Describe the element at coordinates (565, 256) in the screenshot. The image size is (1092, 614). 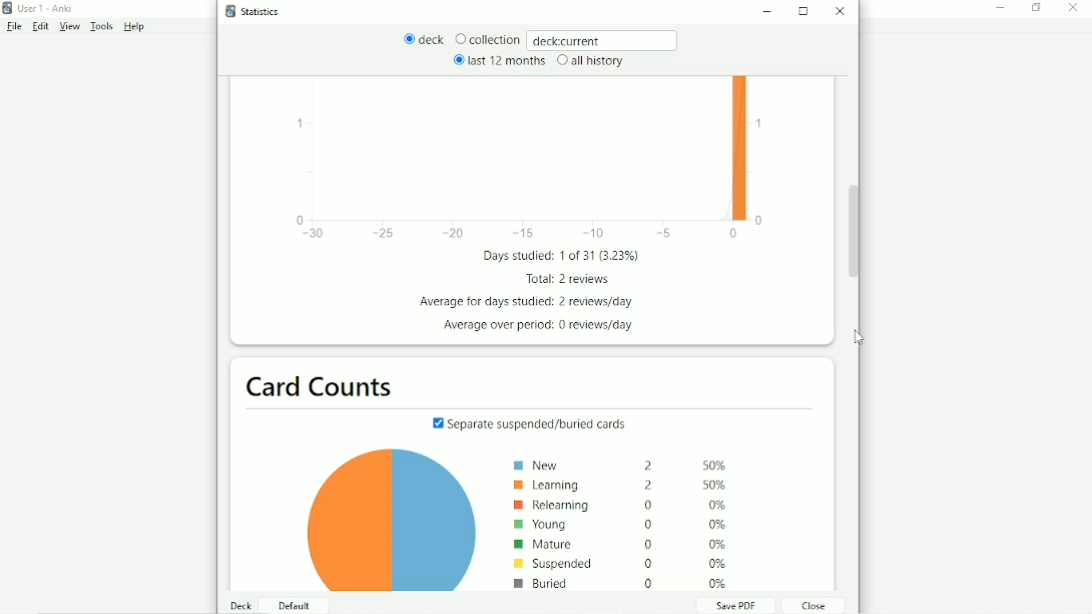
I see `Days studied: 1 of 31 (3.23%)` at that location.